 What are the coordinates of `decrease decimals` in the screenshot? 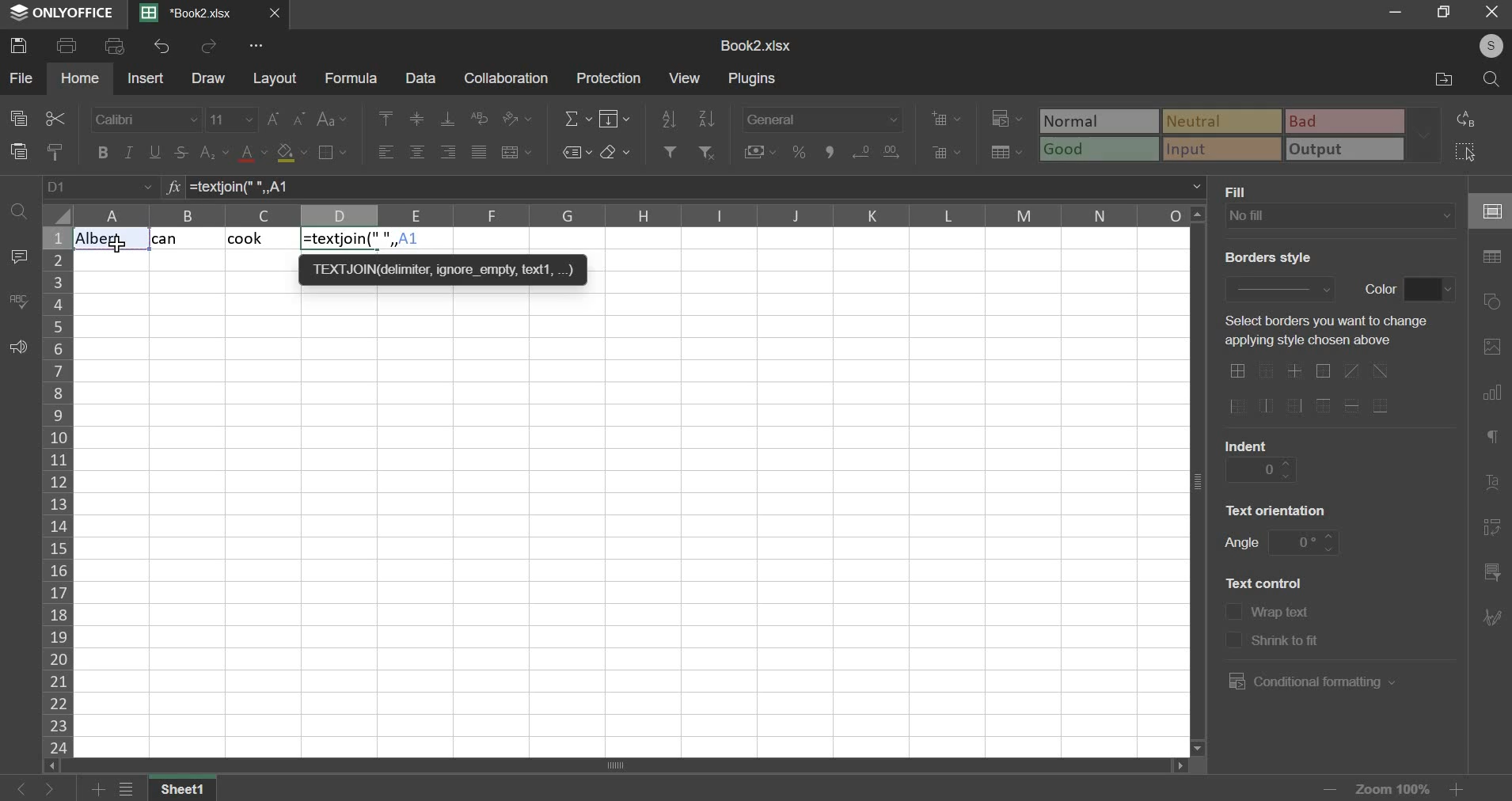 It's located at (891, 149).